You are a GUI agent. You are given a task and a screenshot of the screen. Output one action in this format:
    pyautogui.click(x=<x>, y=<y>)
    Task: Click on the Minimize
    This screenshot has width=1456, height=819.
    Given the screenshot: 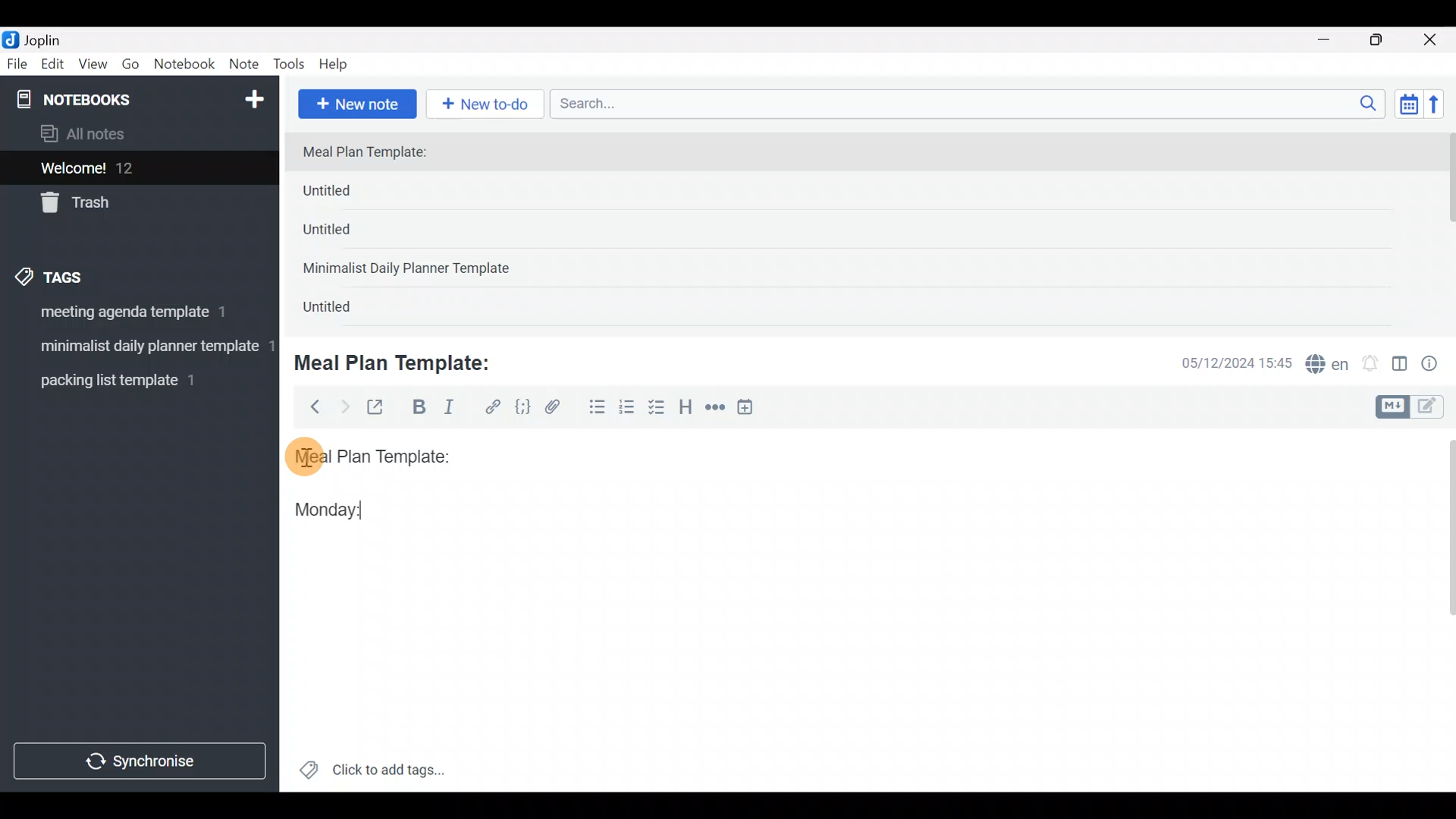 What is the action you would take?
    pyautogui.click(x=1332, y=38)
    